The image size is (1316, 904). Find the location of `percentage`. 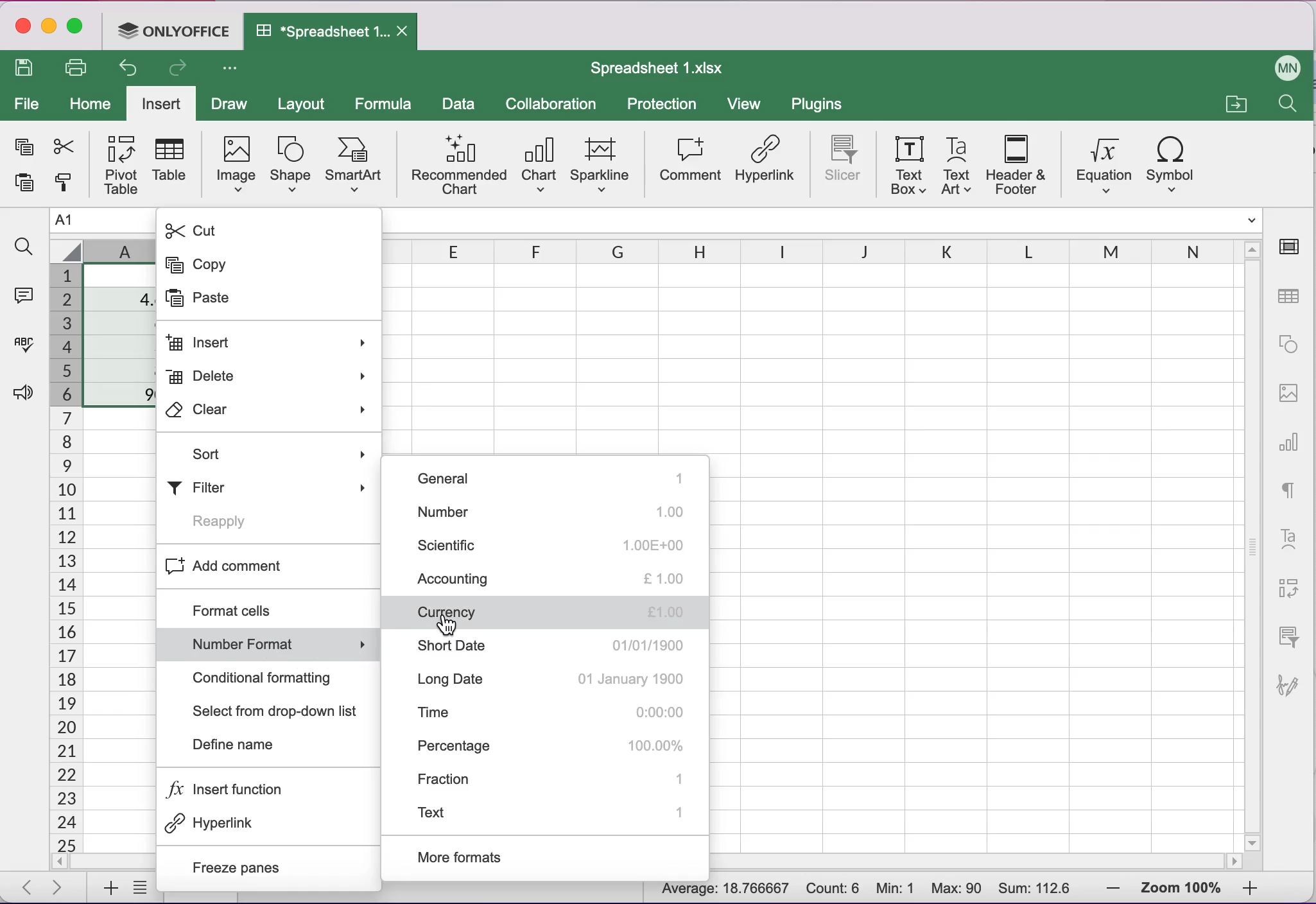

percentage is located at coordinates (550, 745).